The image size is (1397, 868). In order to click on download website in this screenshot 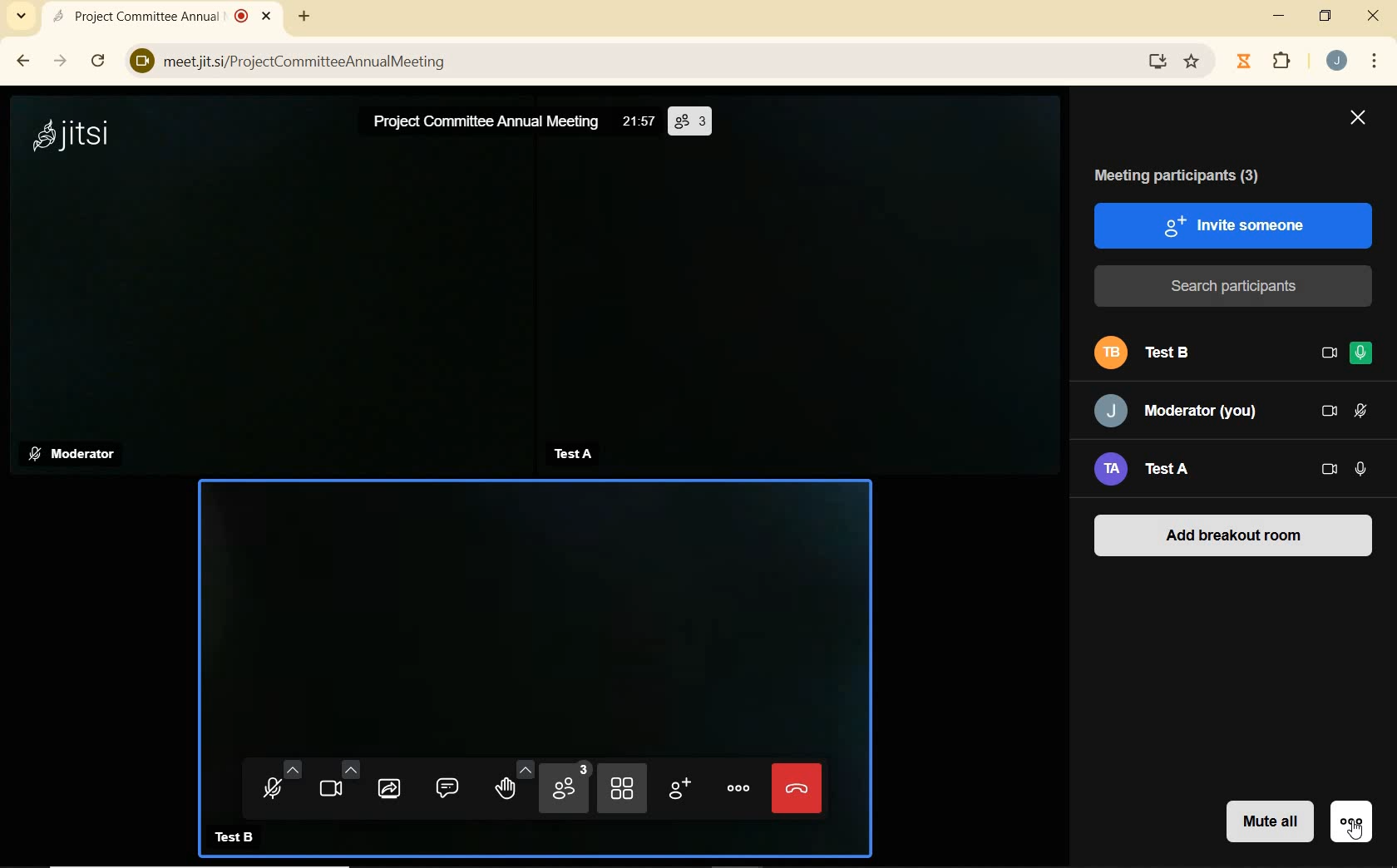, I will do `click(1159, 60)`.